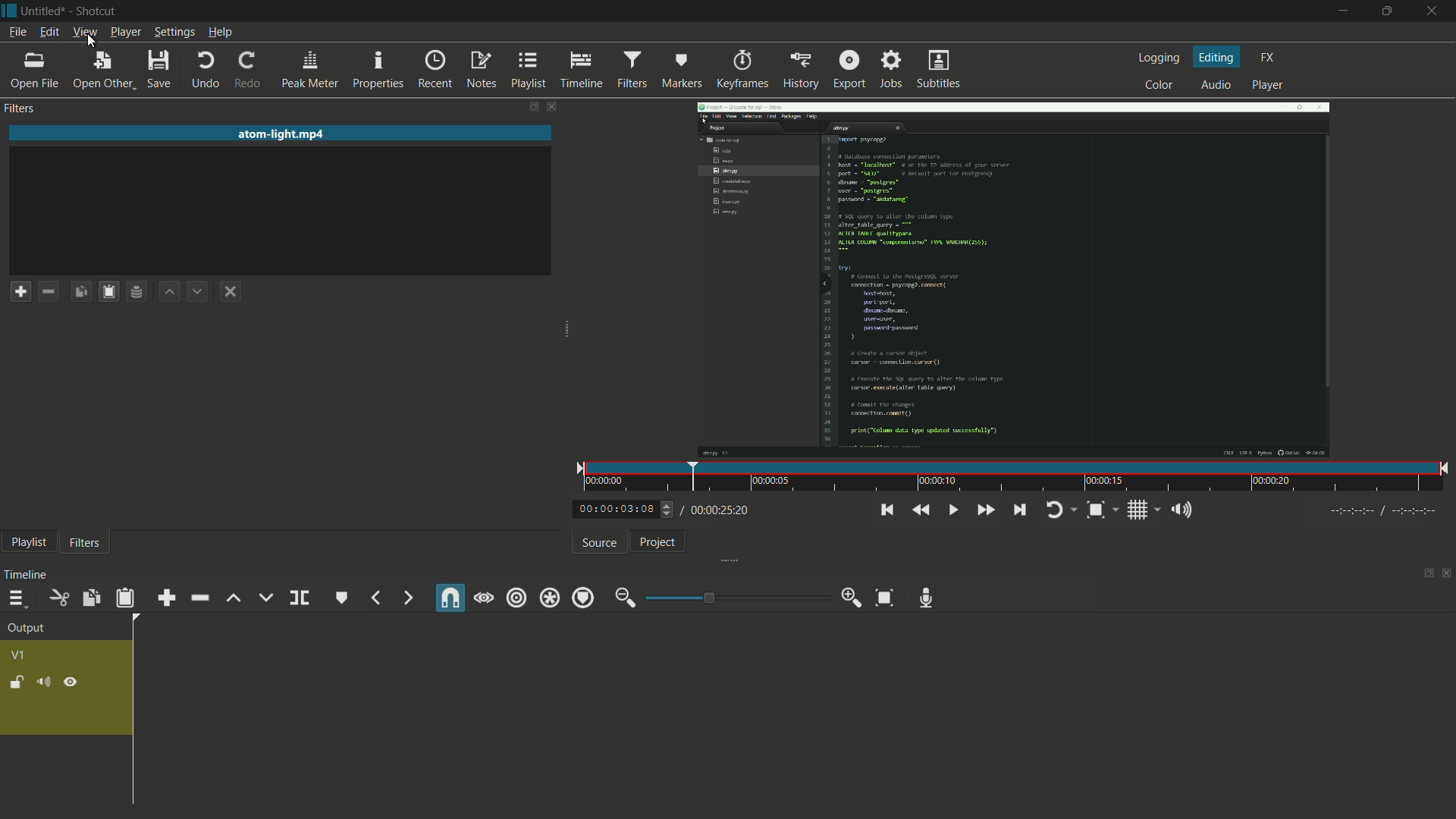  Describe the element at coordinates (661, 542) in the screenshot. I see `project` at that location.